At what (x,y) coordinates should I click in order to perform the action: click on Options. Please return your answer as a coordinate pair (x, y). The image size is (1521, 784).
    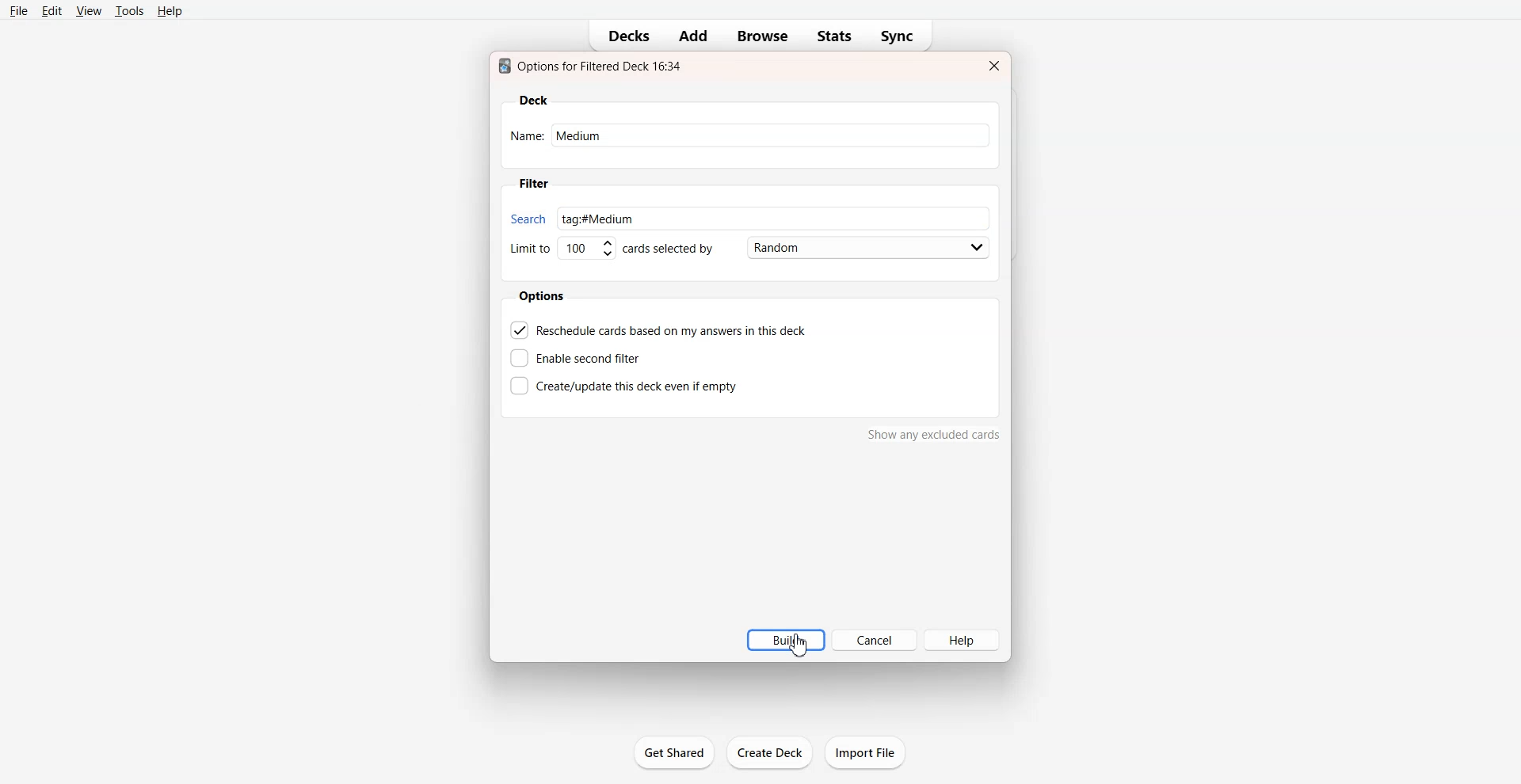
    Looking at the image, I should click on (544, 296).